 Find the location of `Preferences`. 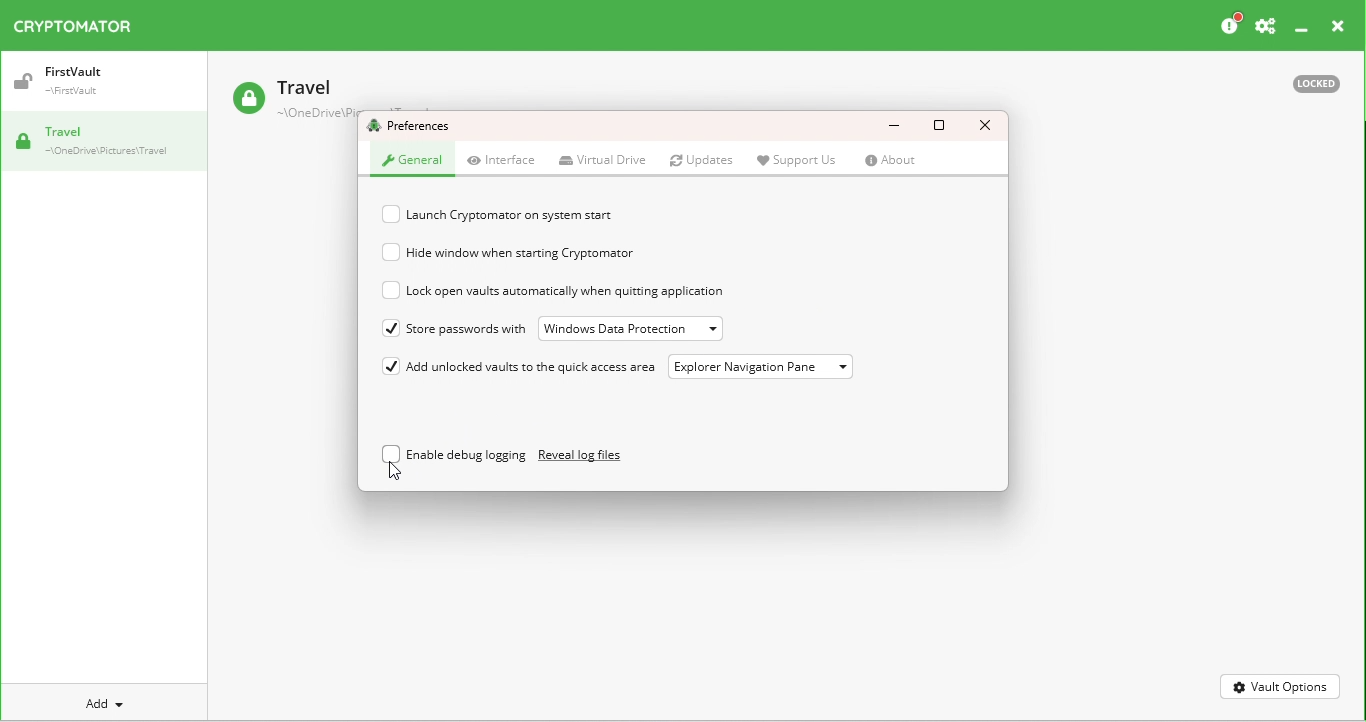

Preferences is located at coordinates (1266, 24).